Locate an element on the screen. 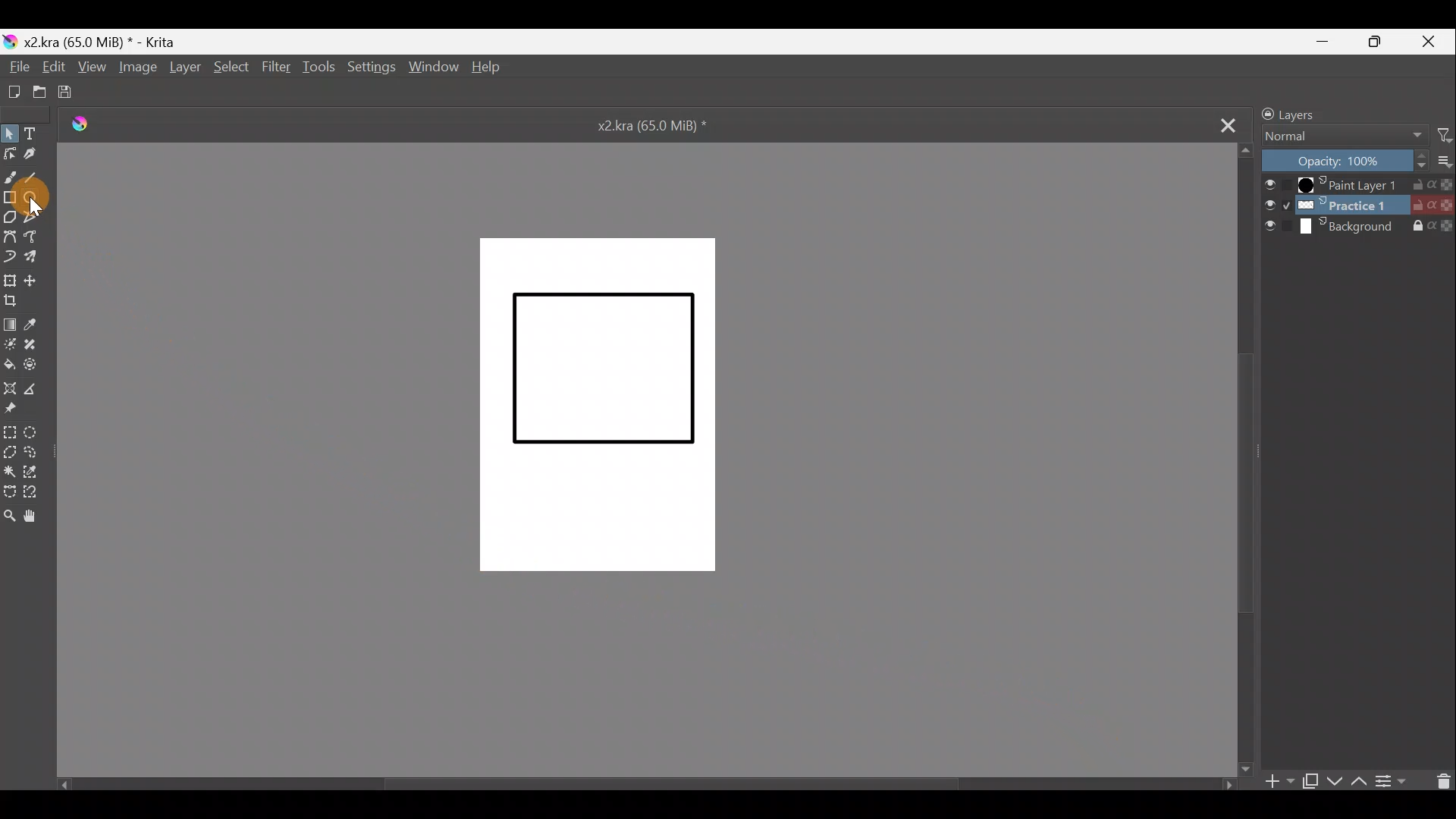 Image resolution: width=1456 pixels, height=819 pixels. Freehand selection tool is located at coordinates (33, 452).